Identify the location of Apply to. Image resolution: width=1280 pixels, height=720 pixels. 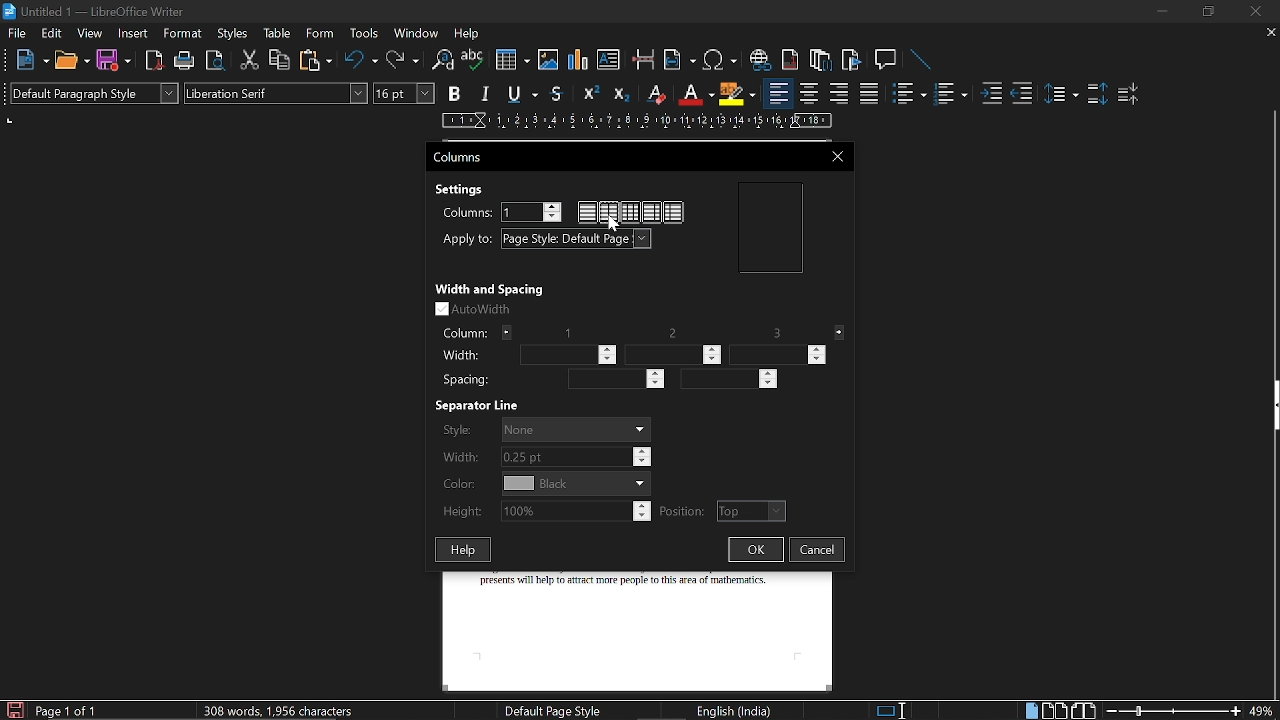
(577, 238).